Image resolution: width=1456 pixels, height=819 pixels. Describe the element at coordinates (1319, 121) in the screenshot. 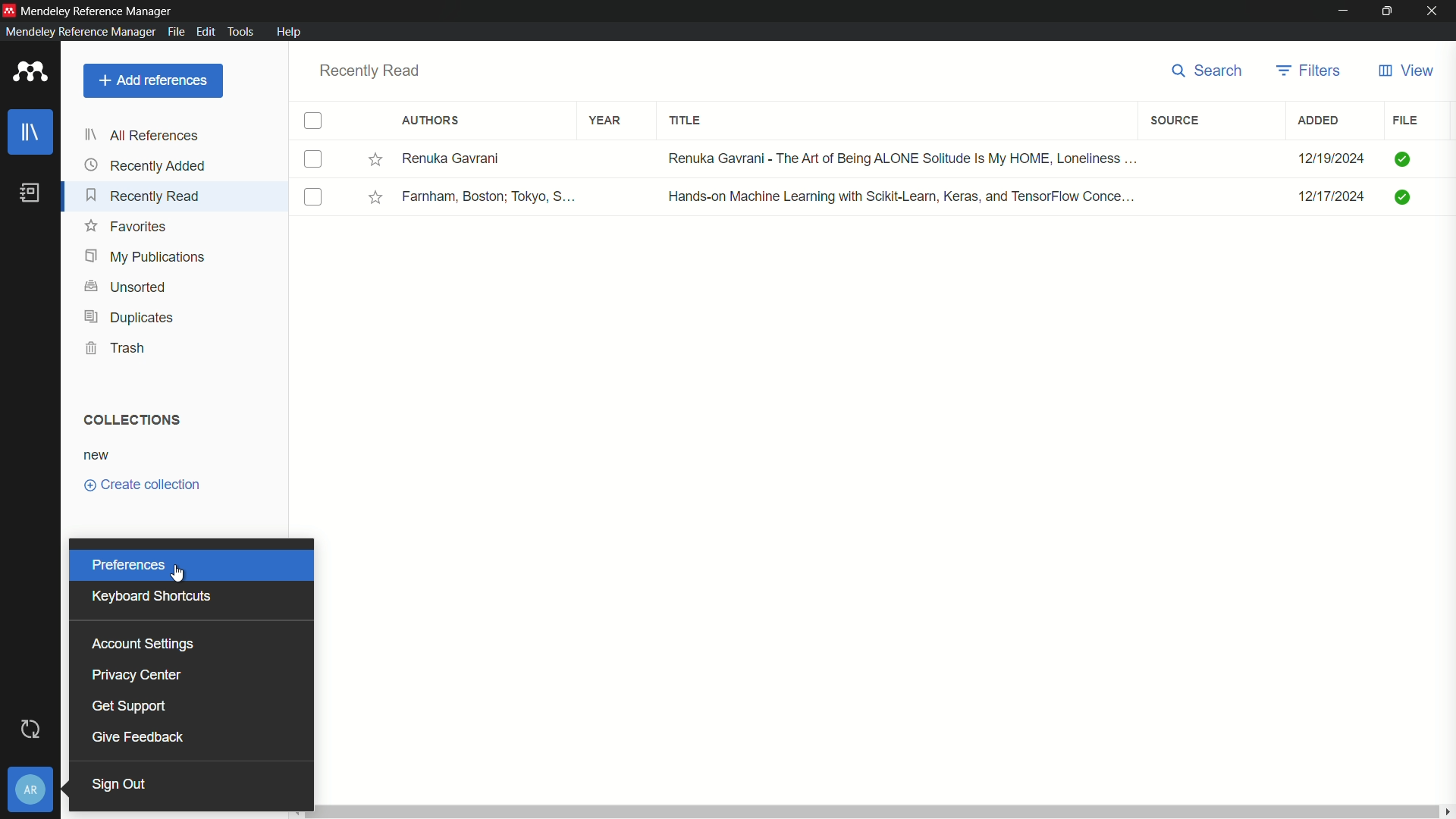

I see `added` at that location.